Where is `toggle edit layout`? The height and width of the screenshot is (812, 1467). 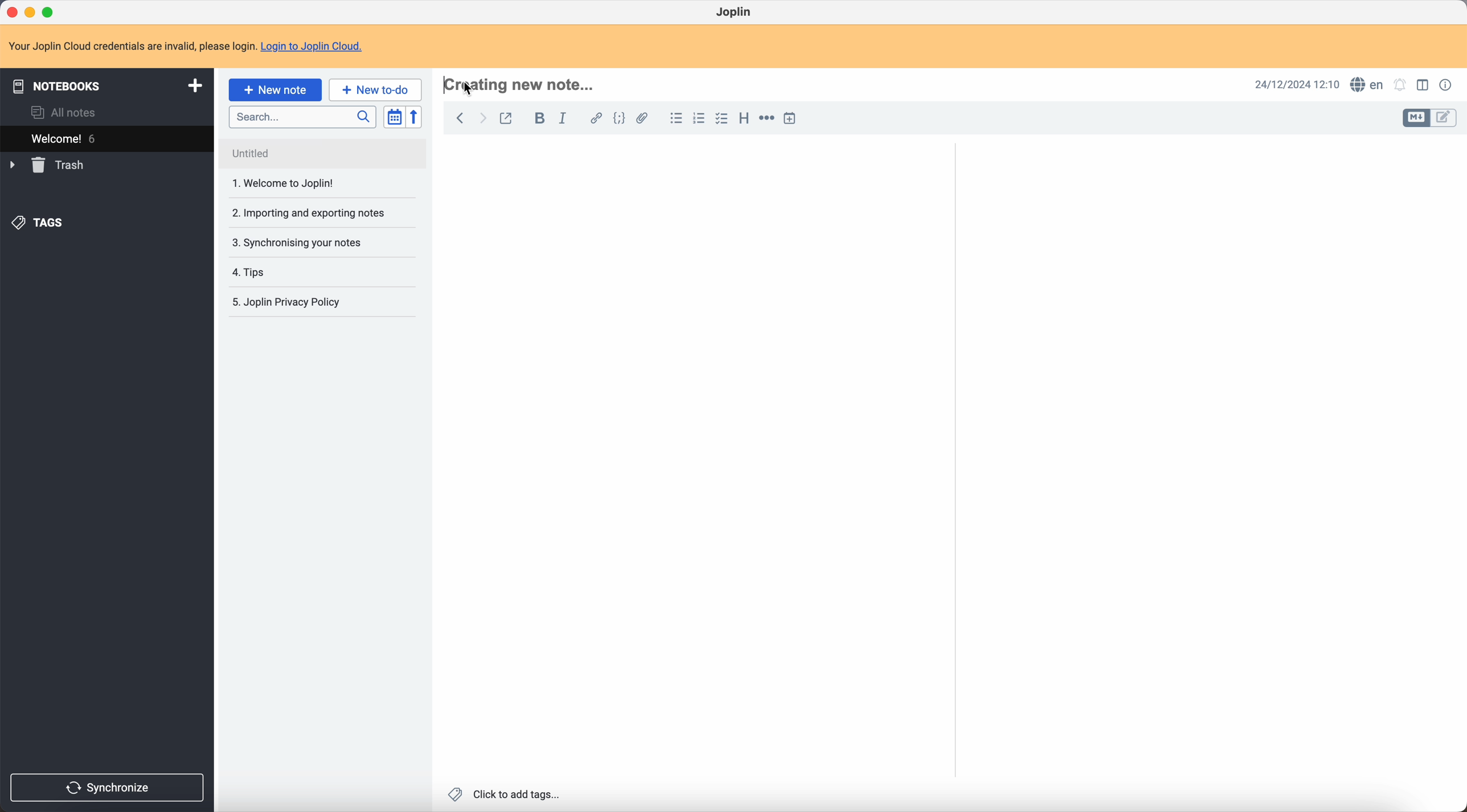
toggle edit layout is located at coordinates (1424, 84).